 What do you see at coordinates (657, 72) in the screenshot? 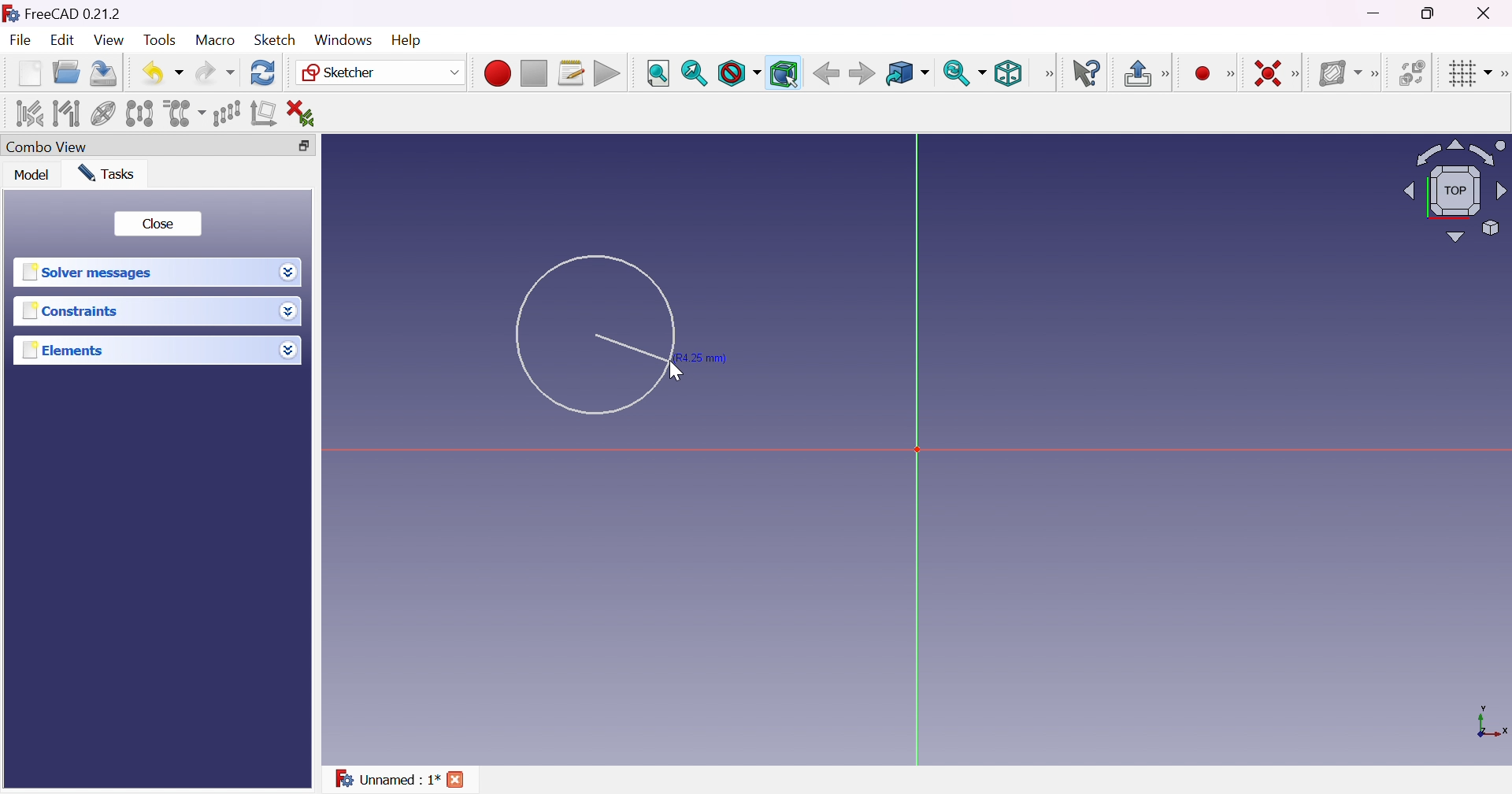
I see `Fit all` at bounding box center [657, 72].